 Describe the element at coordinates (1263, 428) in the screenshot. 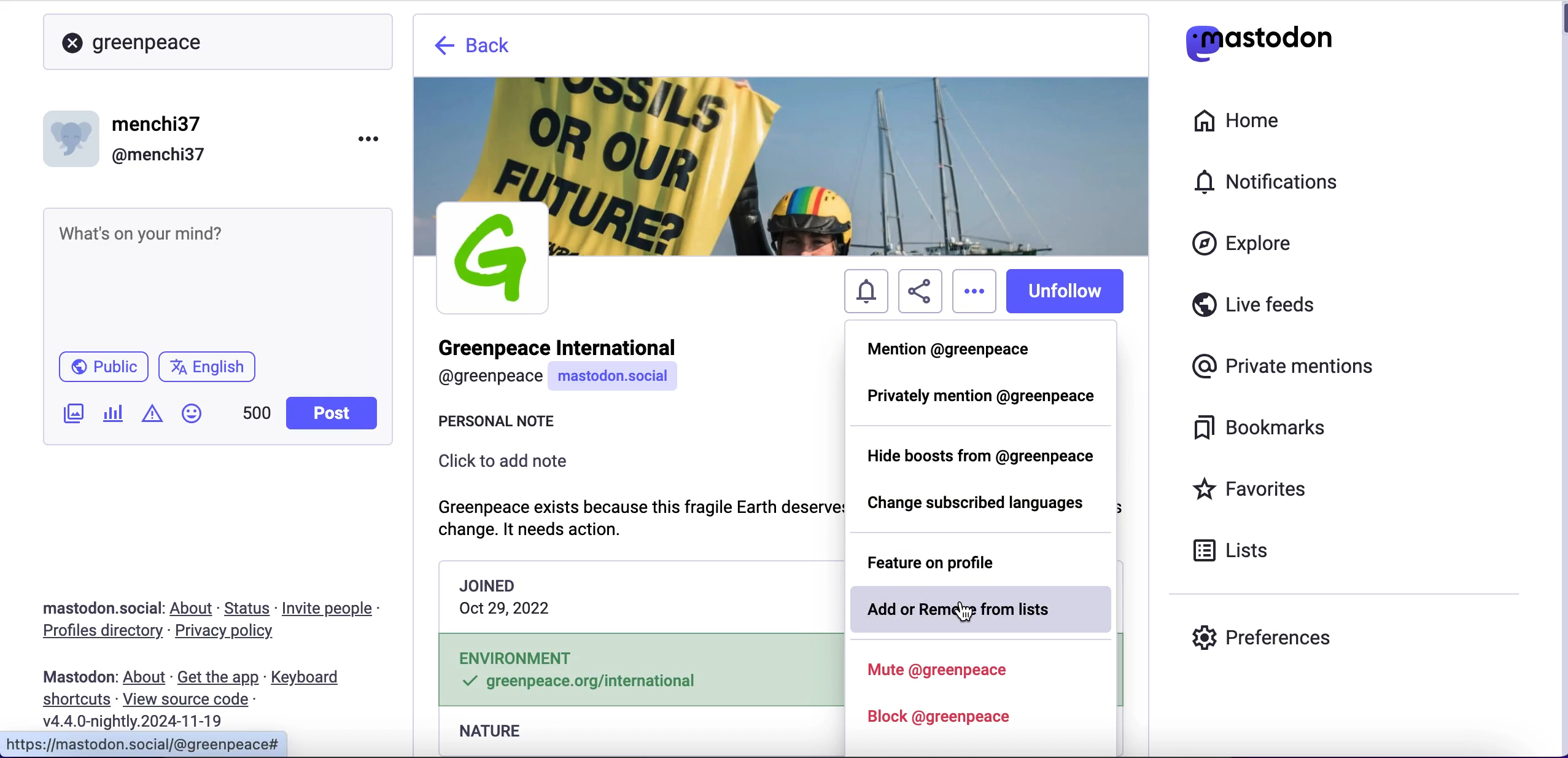

I see `bookmarks` at that location.